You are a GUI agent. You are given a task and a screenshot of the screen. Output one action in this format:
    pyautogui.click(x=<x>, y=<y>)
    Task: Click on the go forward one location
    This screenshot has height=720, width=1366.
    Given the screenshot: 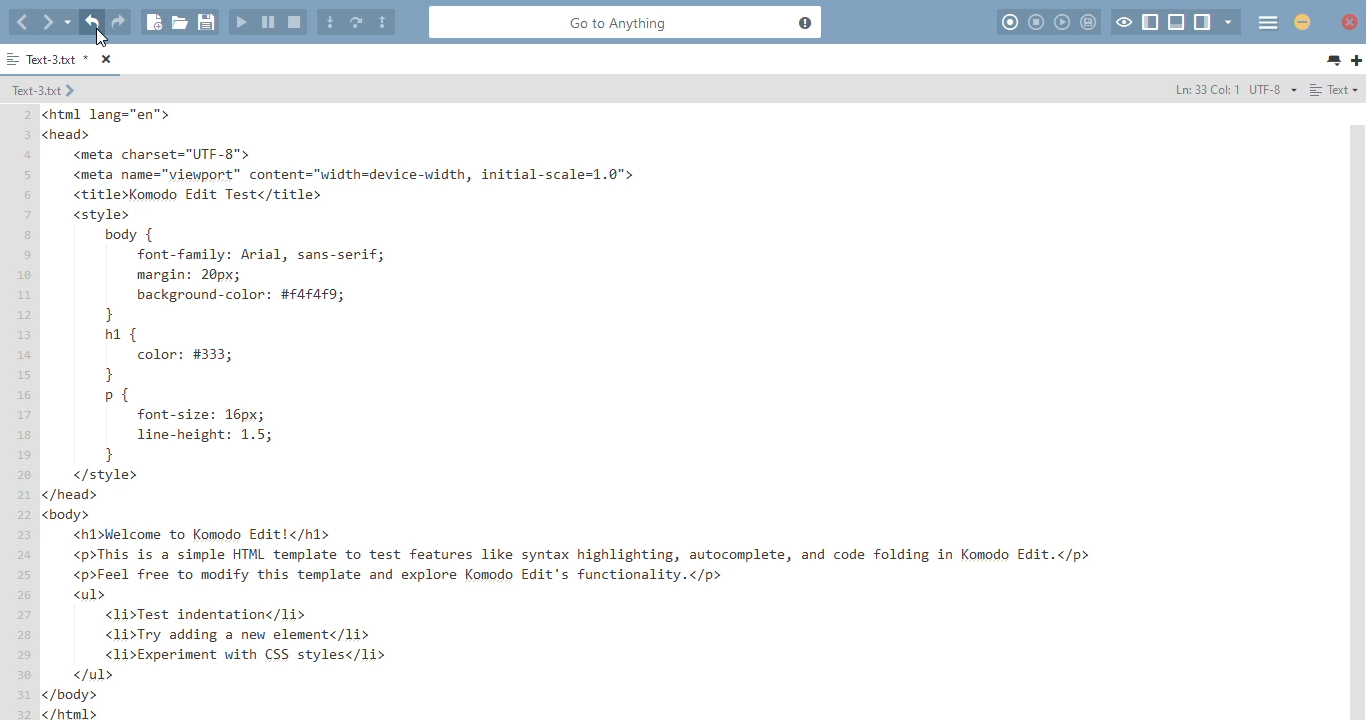 What is the action you would take?
    pyautogui.click(x=48, y=21)
    